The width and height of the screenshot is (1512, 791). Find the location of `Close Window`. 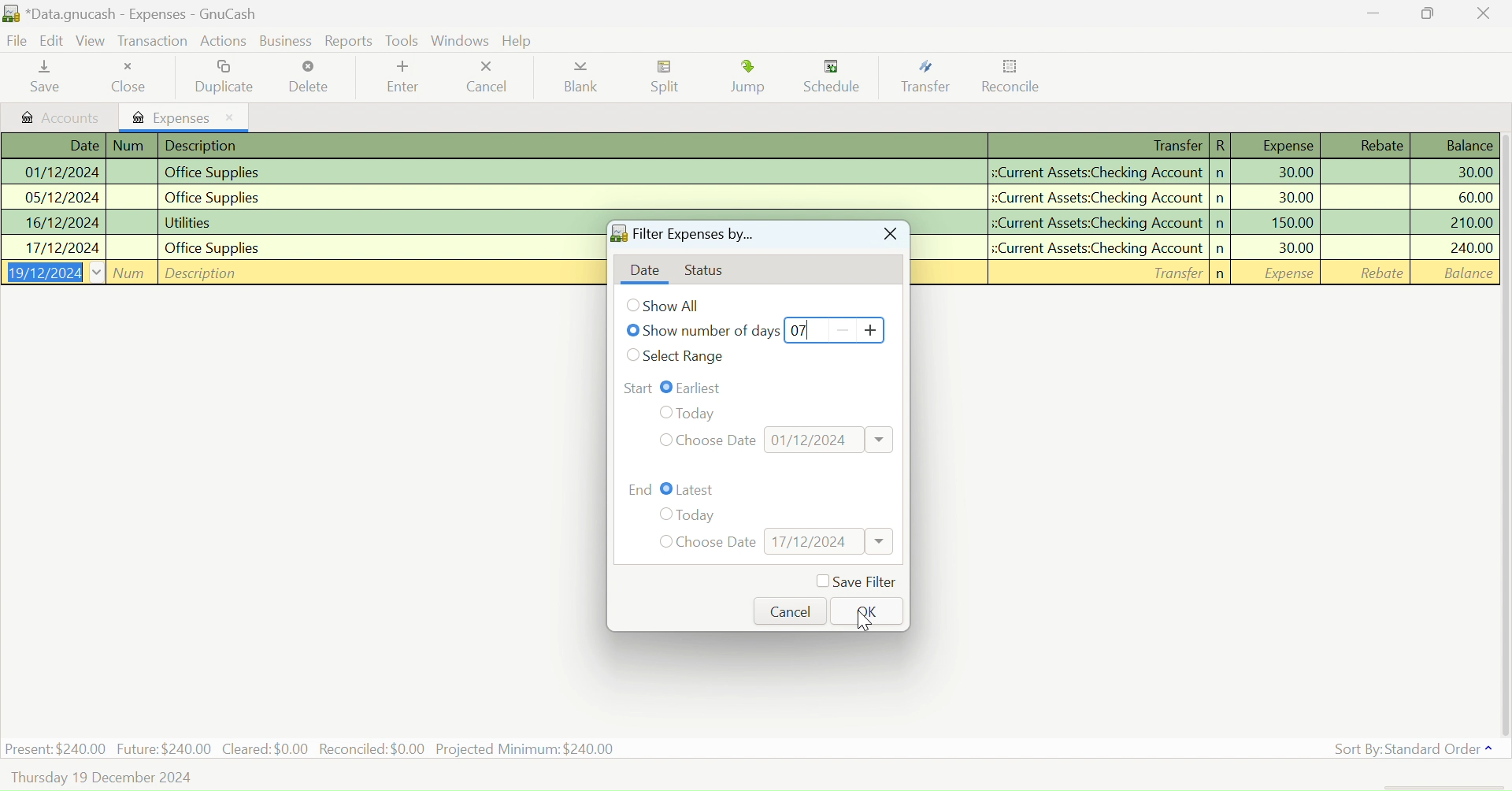

Close Window is located at coordinates (1484, 13).